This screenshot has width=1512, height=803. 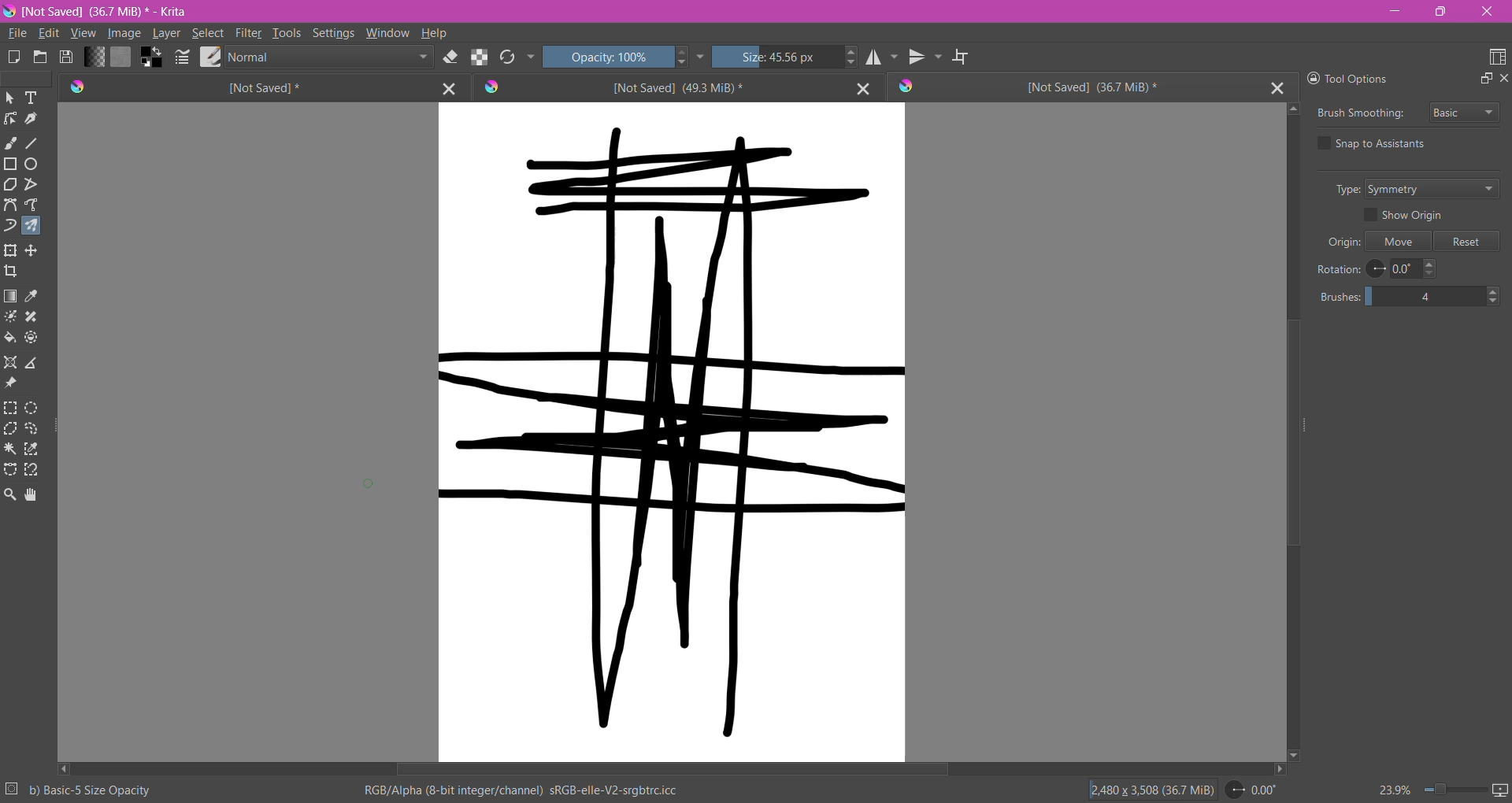 What do you see at coordinates (67, 58) in the screenshot?
I see `Save` at bounding box center [67, 58].